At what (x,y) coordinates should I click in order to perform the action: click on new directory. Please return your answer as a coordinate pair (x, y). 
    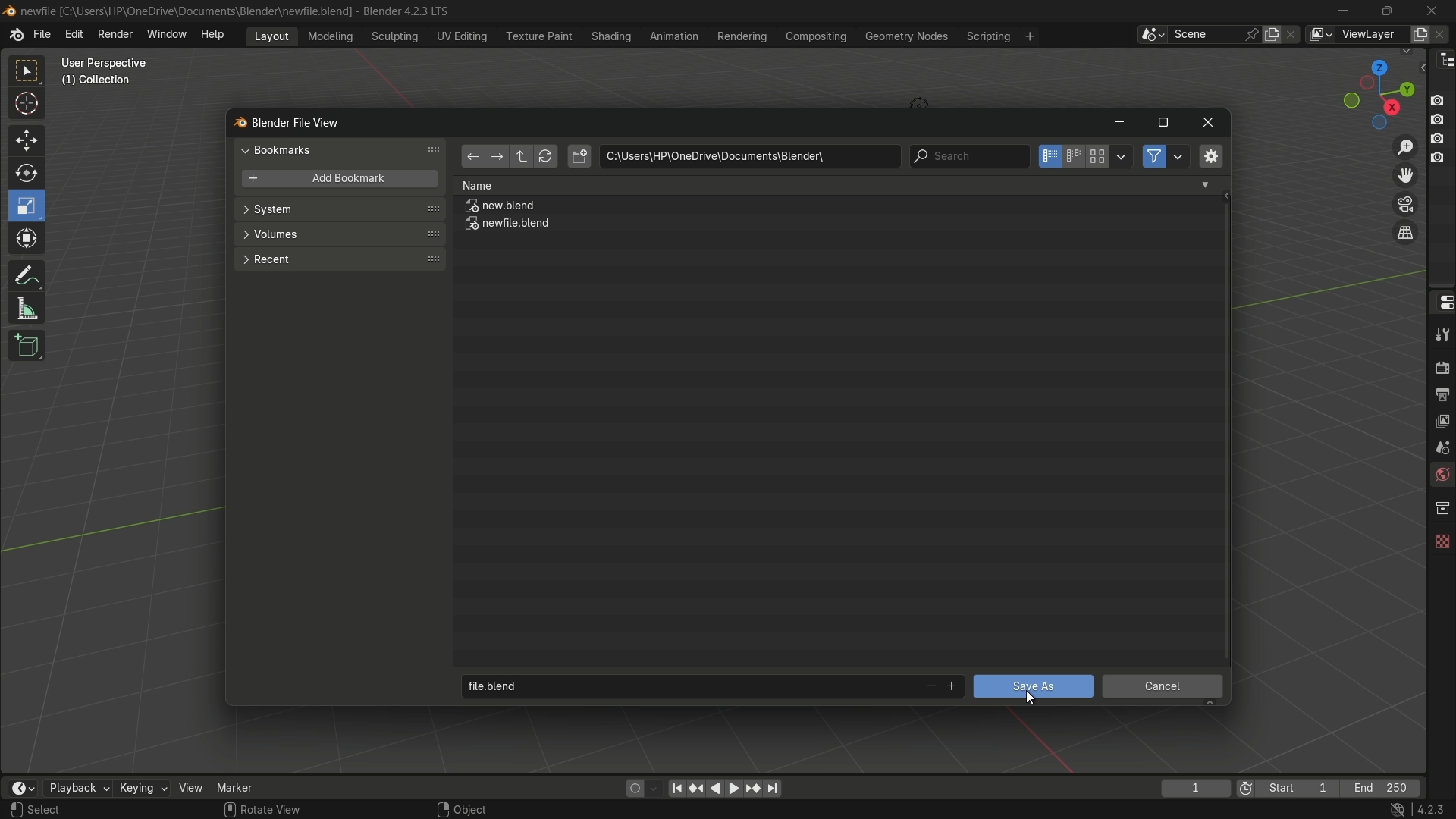
    Looking at the image, I should click on (579, 156).